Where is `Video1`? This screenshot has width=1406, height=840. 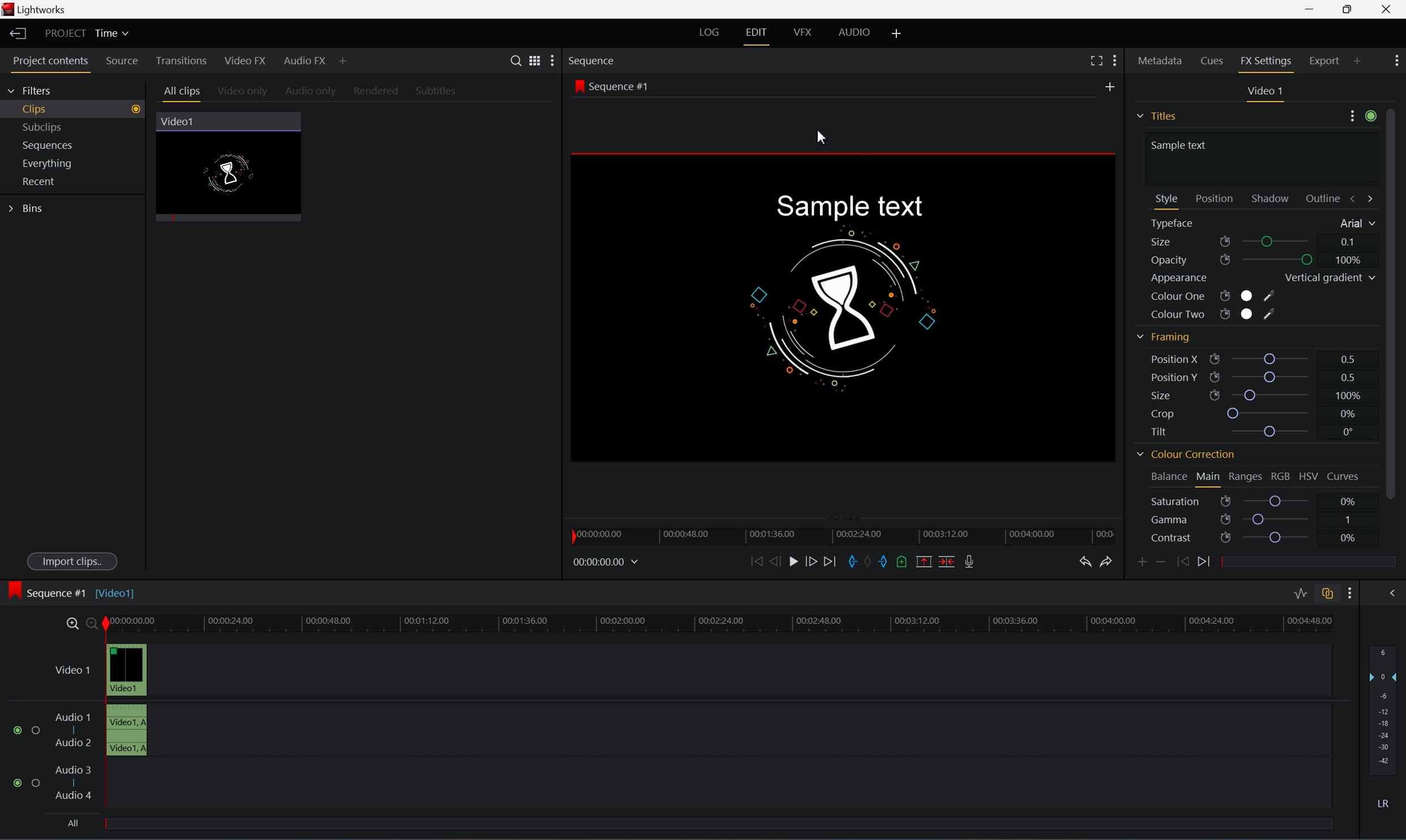
Video1 is located at coordinates (179, 122).